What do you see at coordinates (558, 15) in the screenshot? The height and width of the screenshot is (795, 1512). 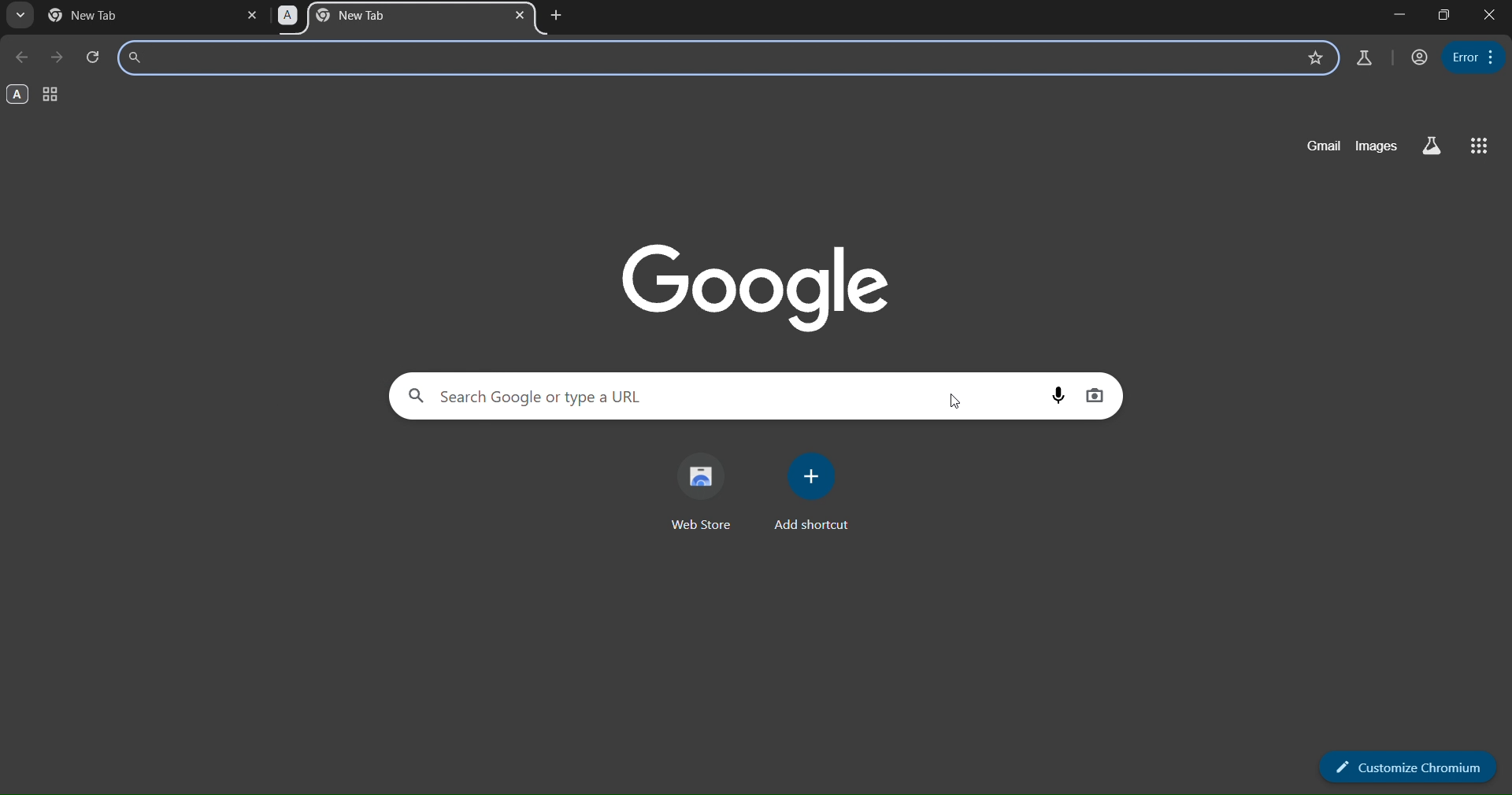 I see `new tab` at bounding box center [558, 15].